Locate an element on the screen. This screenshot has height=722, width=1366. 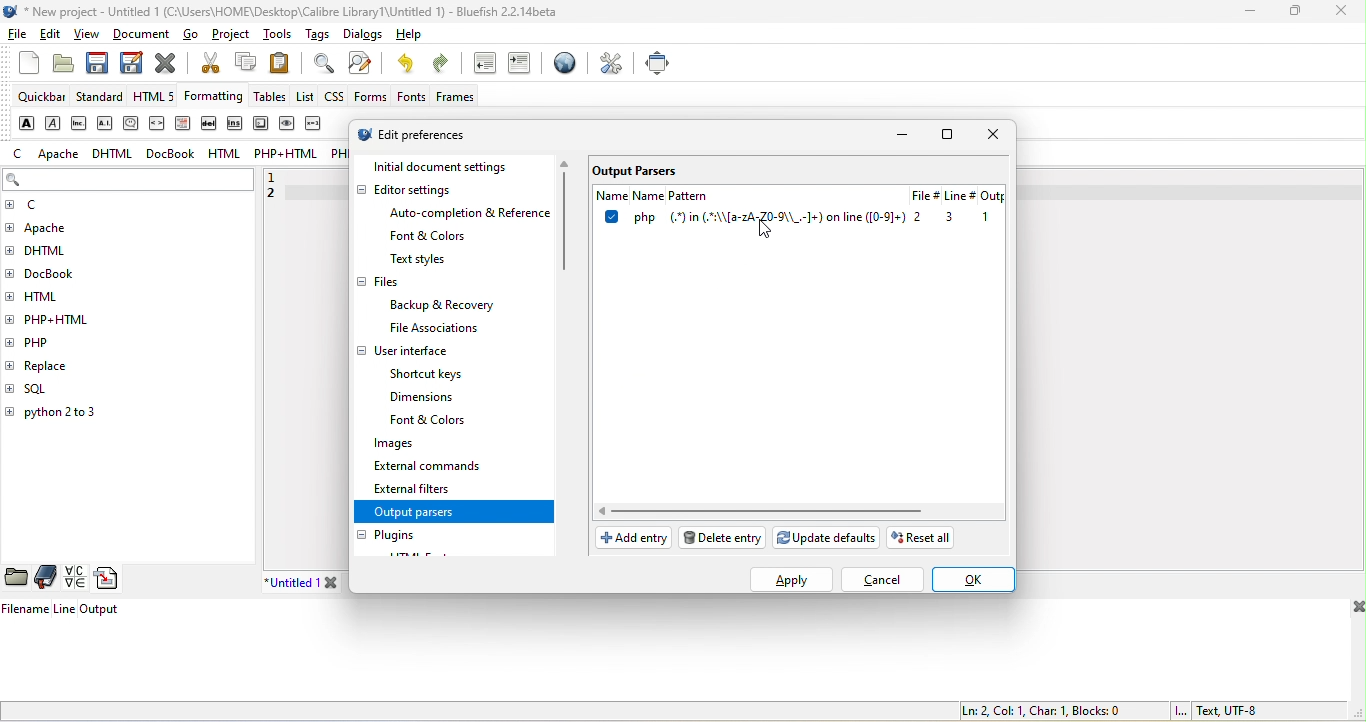
python 2 to 3 is located at coordinates (73, 415).